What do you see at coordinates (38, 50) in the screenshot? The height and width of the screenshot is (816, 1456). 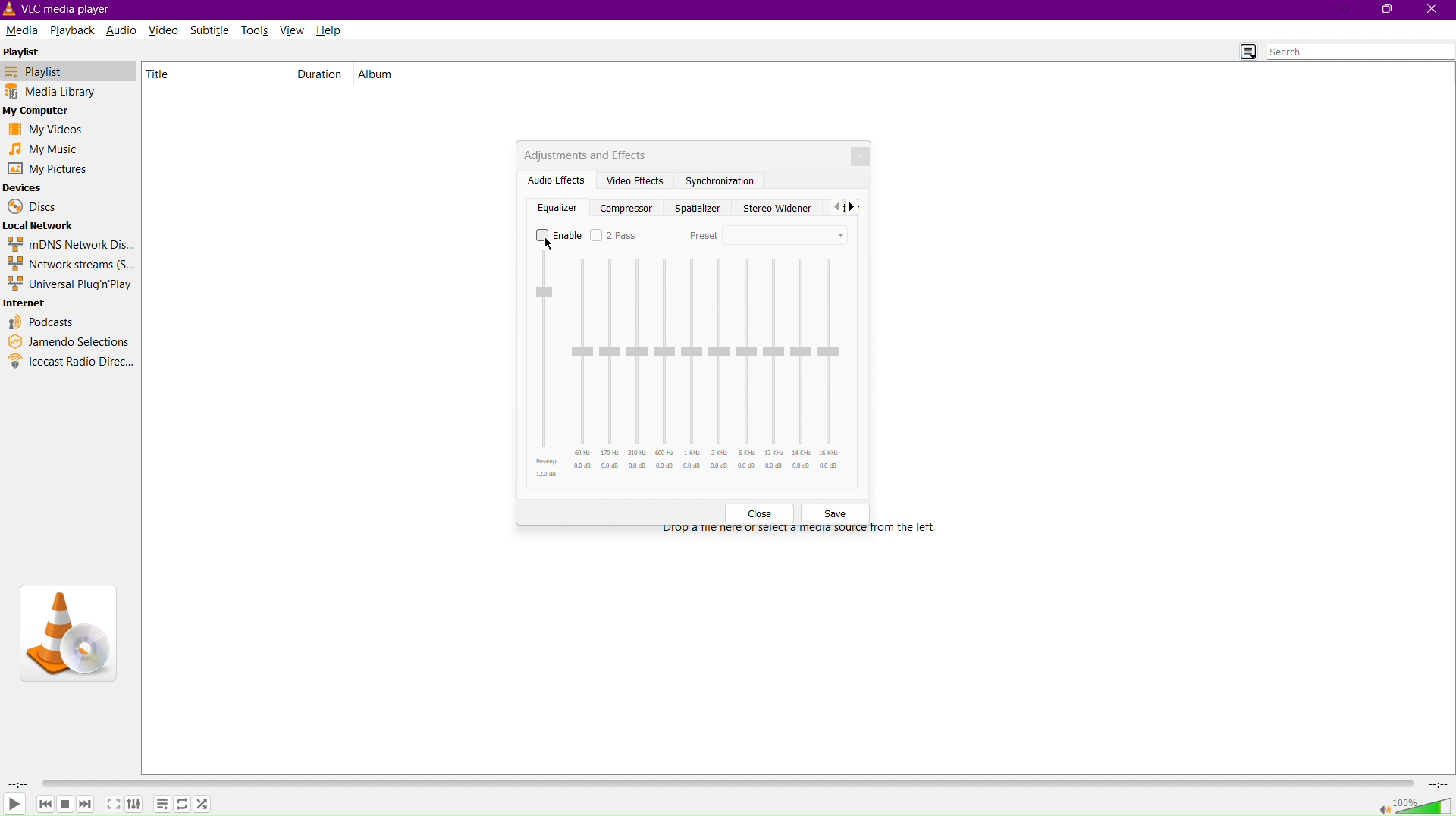 I see `Playlist` at bounding box center [38, 50].